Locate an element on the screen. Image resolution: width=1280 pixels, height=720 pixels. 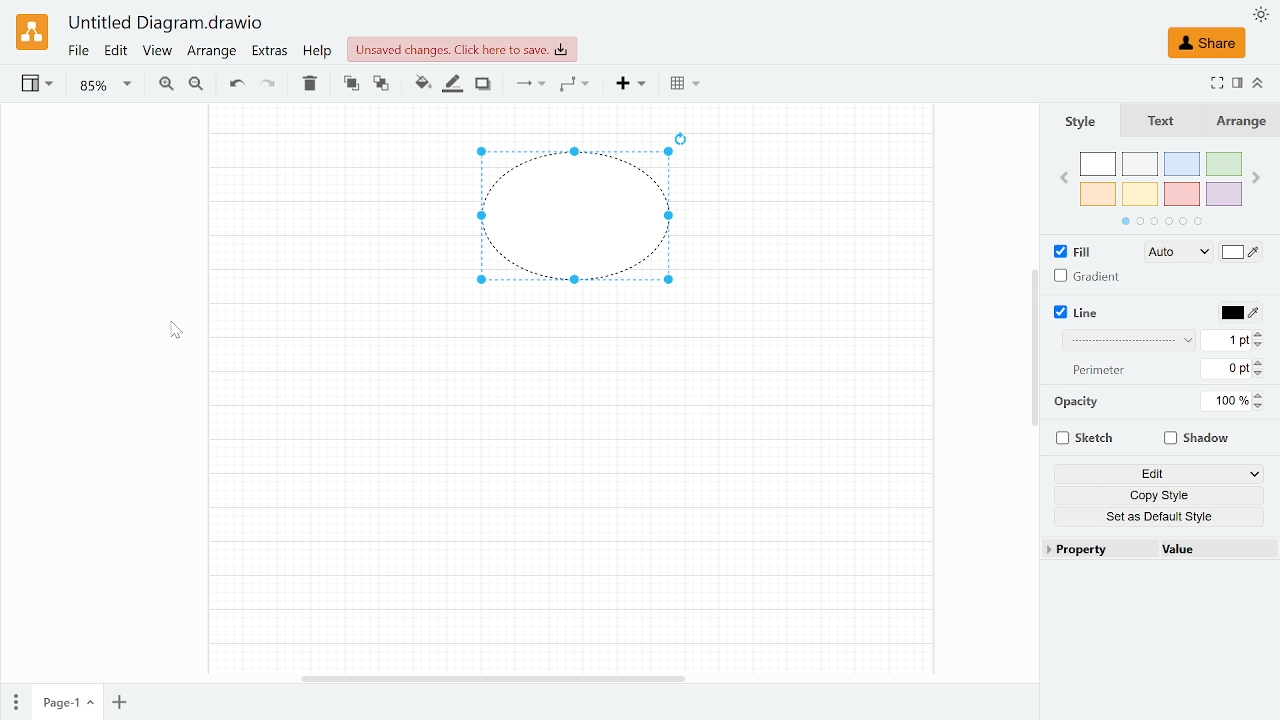
scroll bar is located at coordinates (1032, 349).